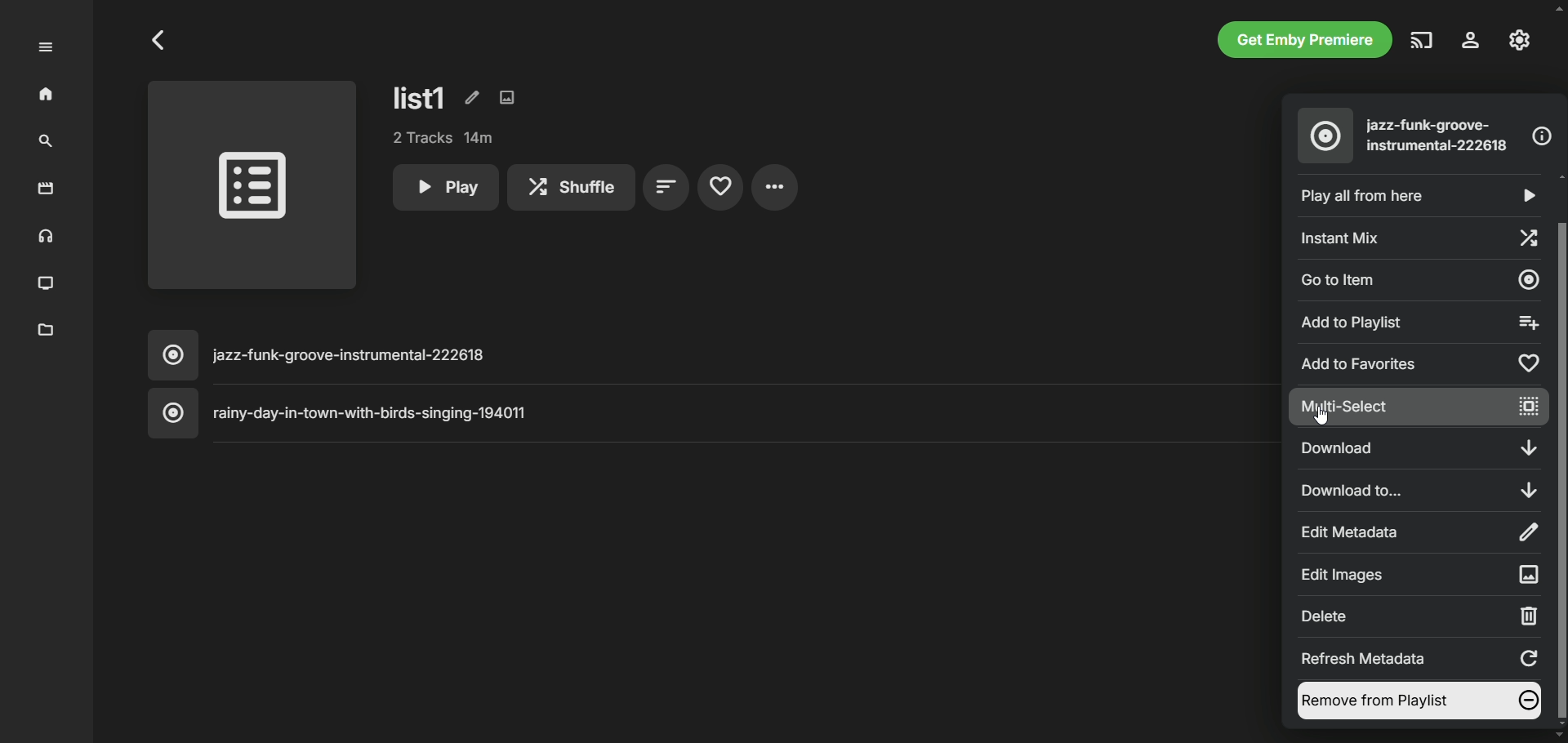  What do you see at coordinates (1418, 407) in the screenshot?
I see `multi-select` at bounding box center [1418, 407].